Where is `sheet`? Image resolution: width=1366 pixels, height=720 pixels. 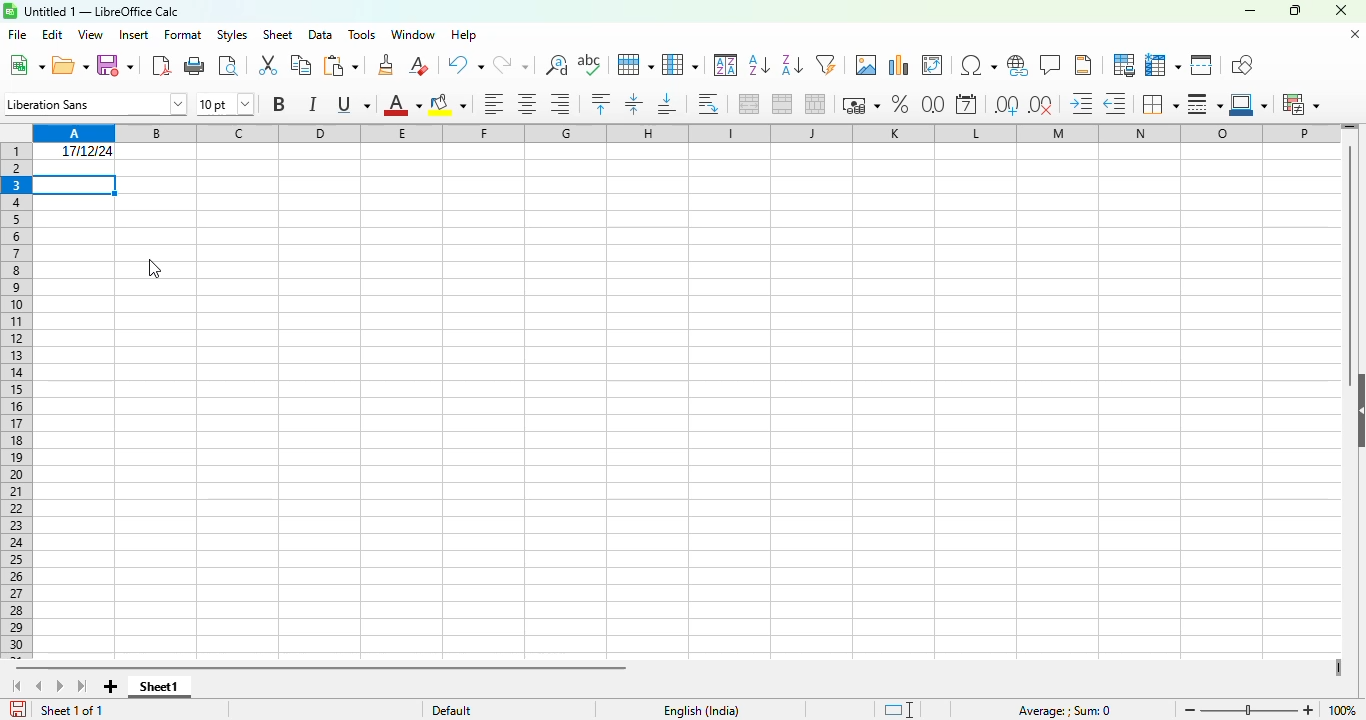
sheet is located at coordinates (278, 35).